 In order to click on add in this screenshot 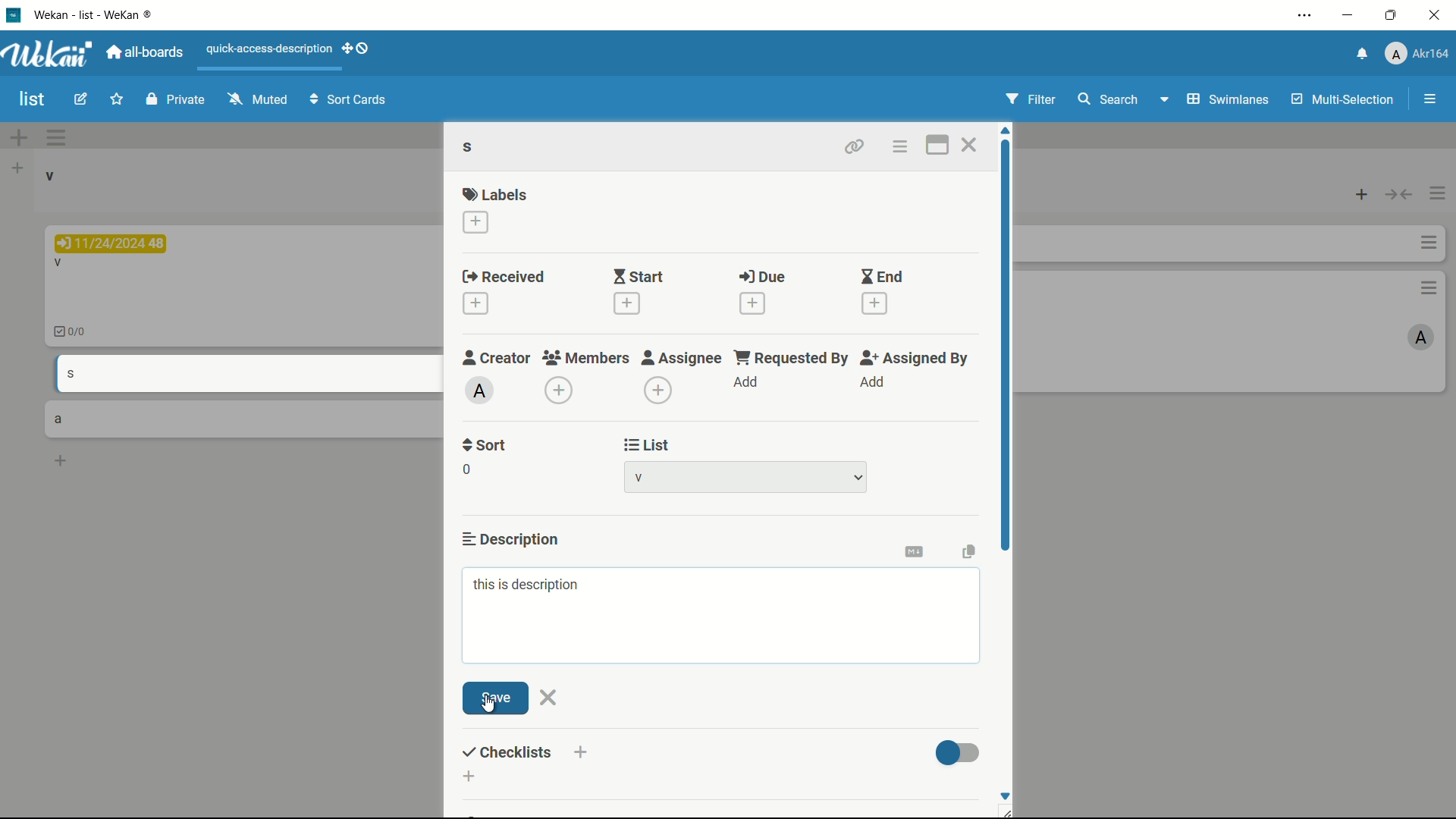, I will do `click(874, 383)`.